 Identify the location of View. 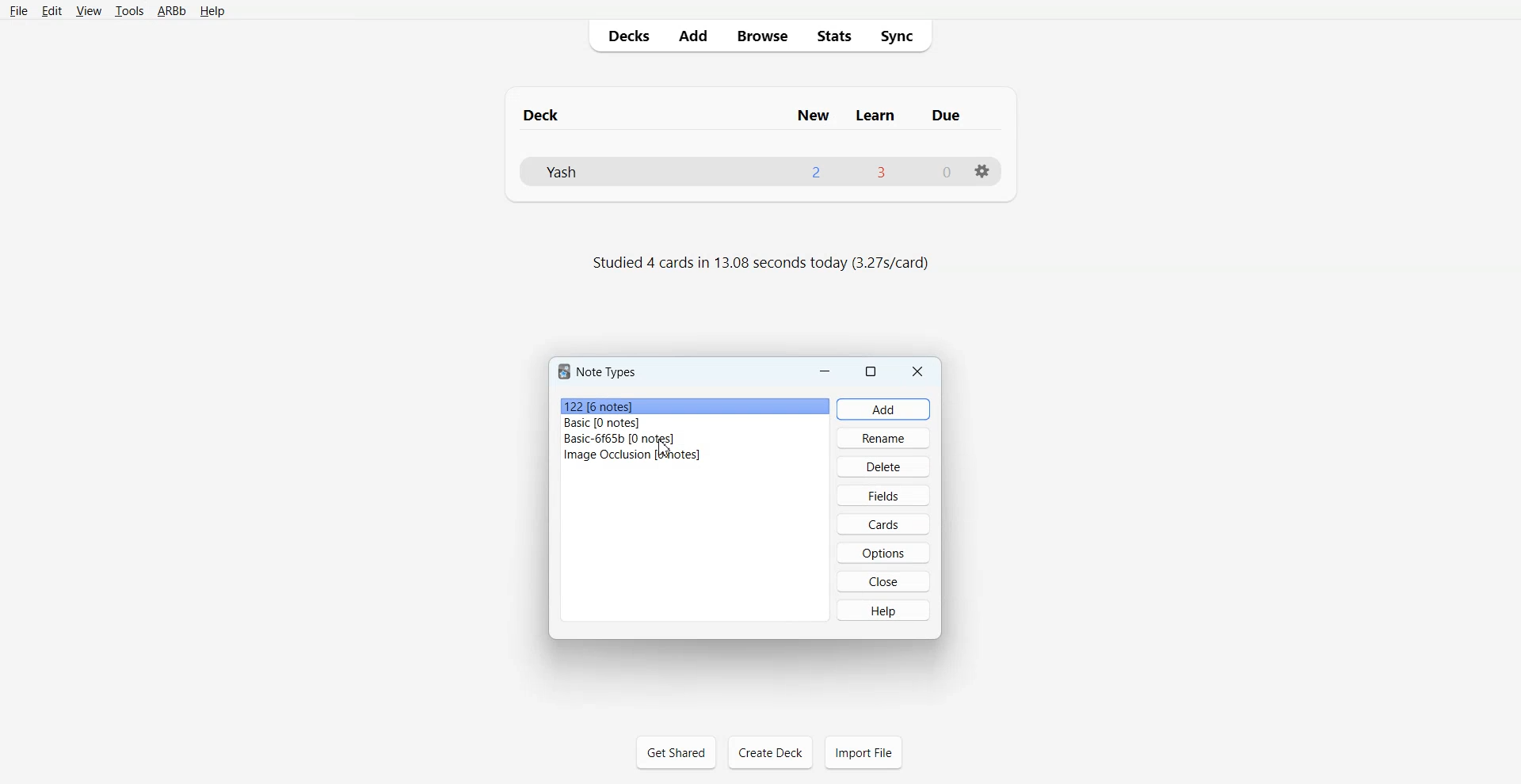
(87, 10).